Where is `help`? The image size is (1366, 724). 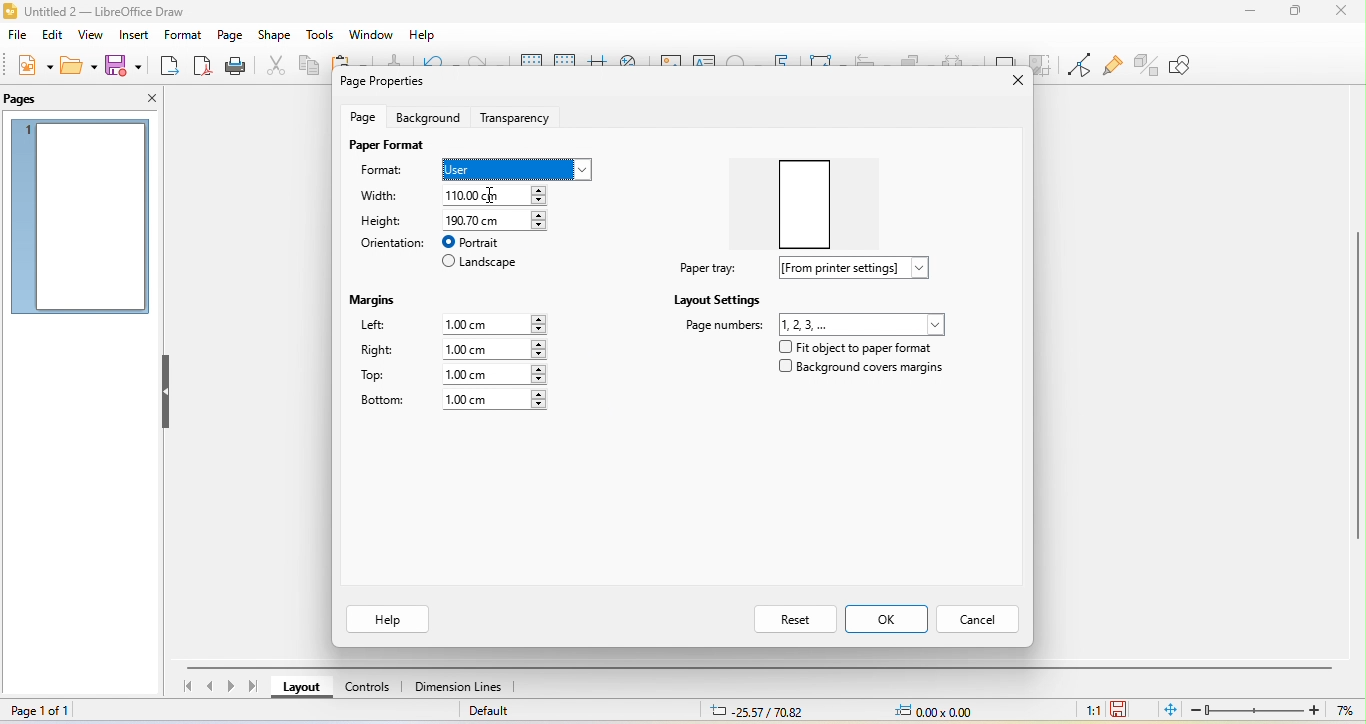 help is located at coordinates (390, 619).